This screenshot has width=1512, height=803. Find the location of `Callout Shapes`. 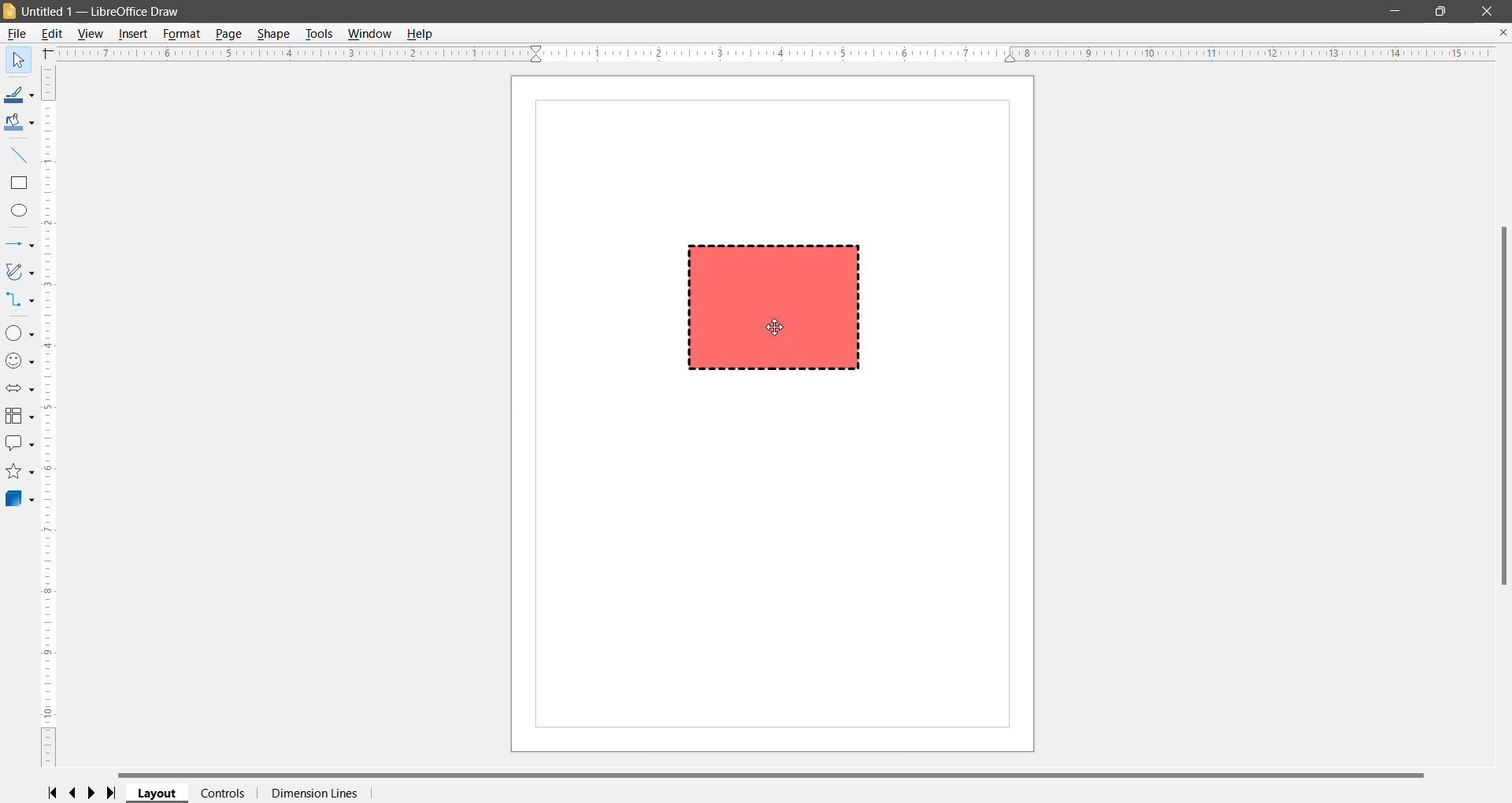

Callout Shapes is located at coordinates (20, 443).